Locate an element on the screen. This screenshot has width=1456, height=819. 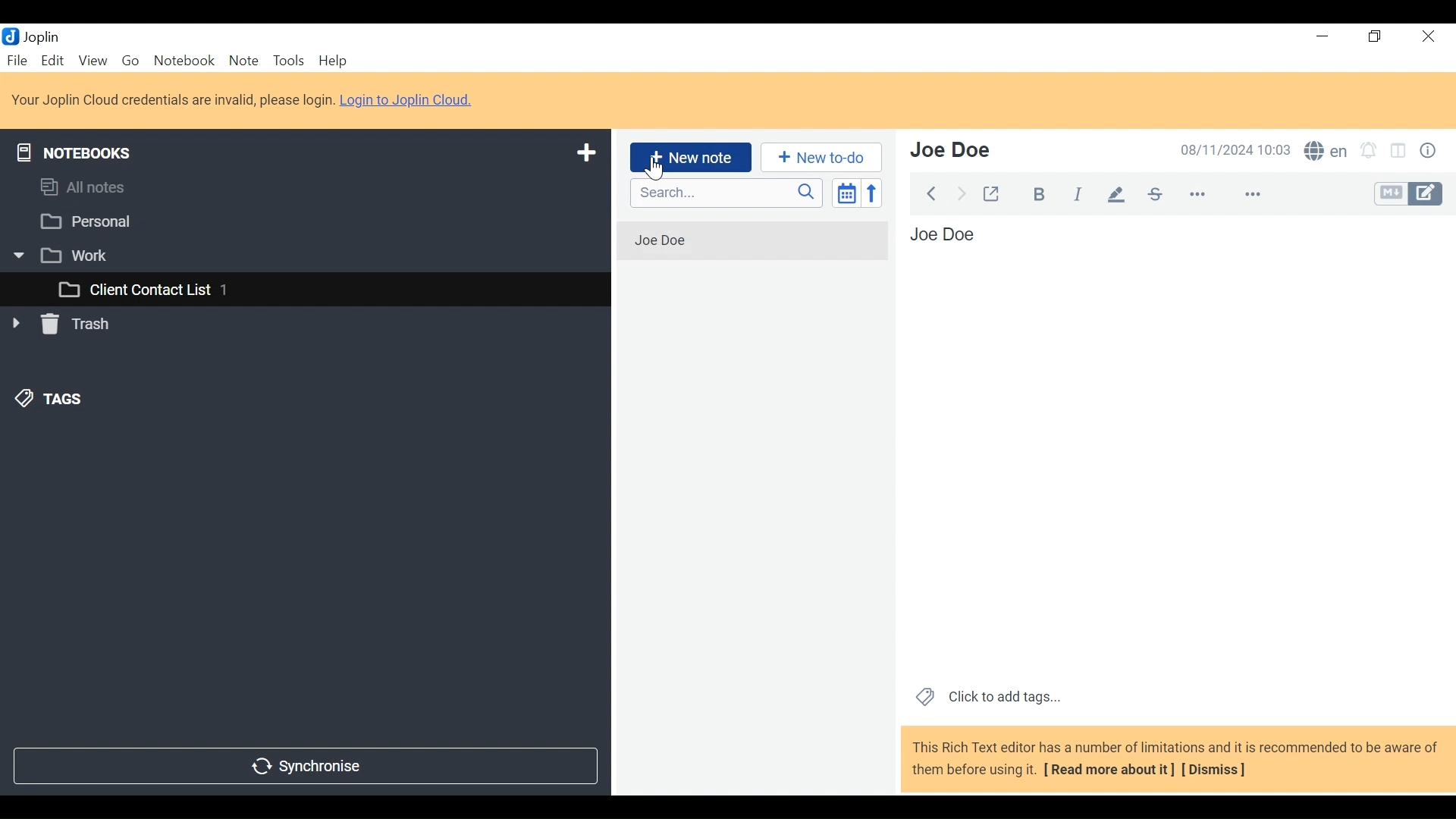
Edit is located at coordinates (54, 60).